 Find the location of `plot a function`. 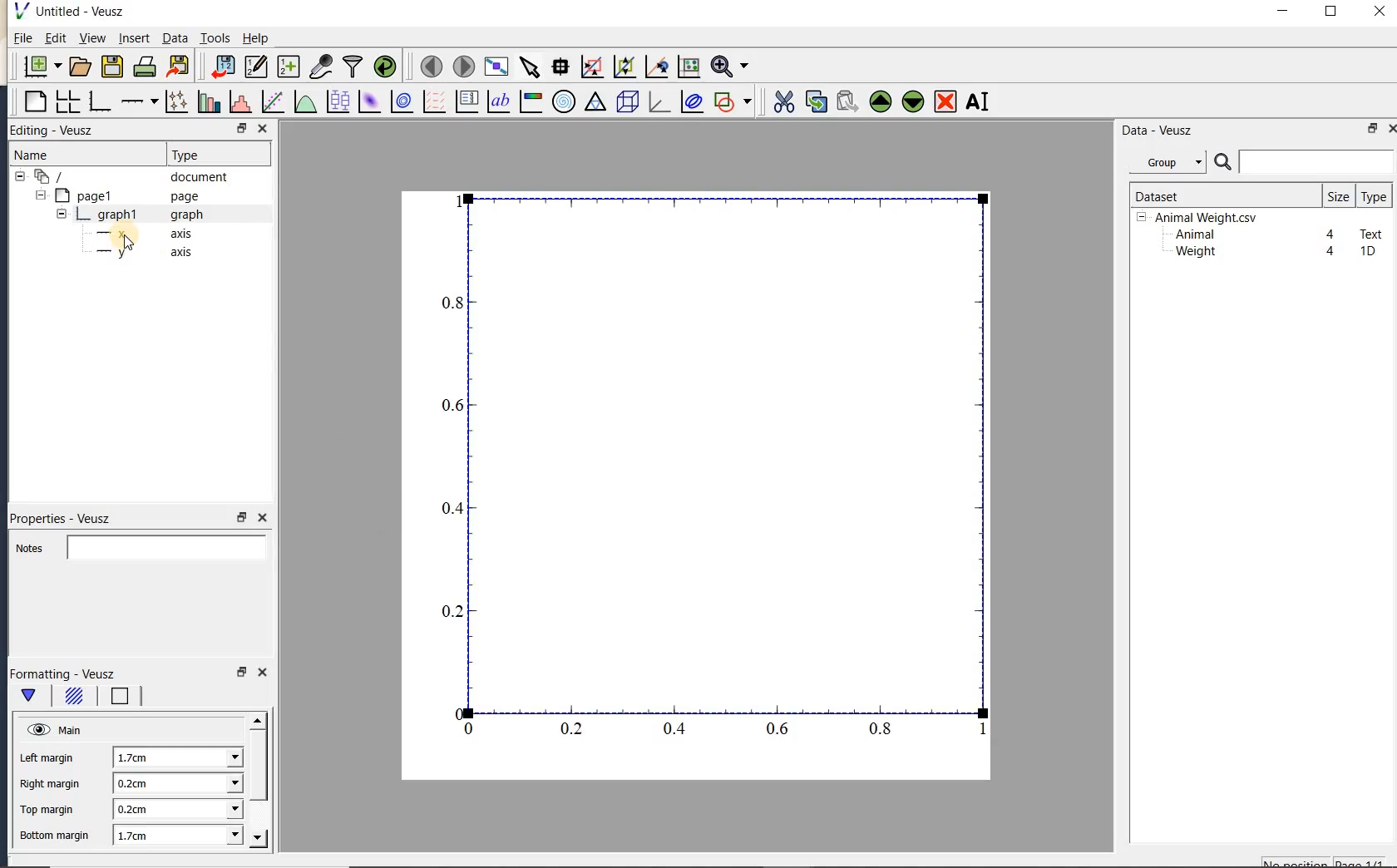

plot a function is located at coordinates (304, 104).